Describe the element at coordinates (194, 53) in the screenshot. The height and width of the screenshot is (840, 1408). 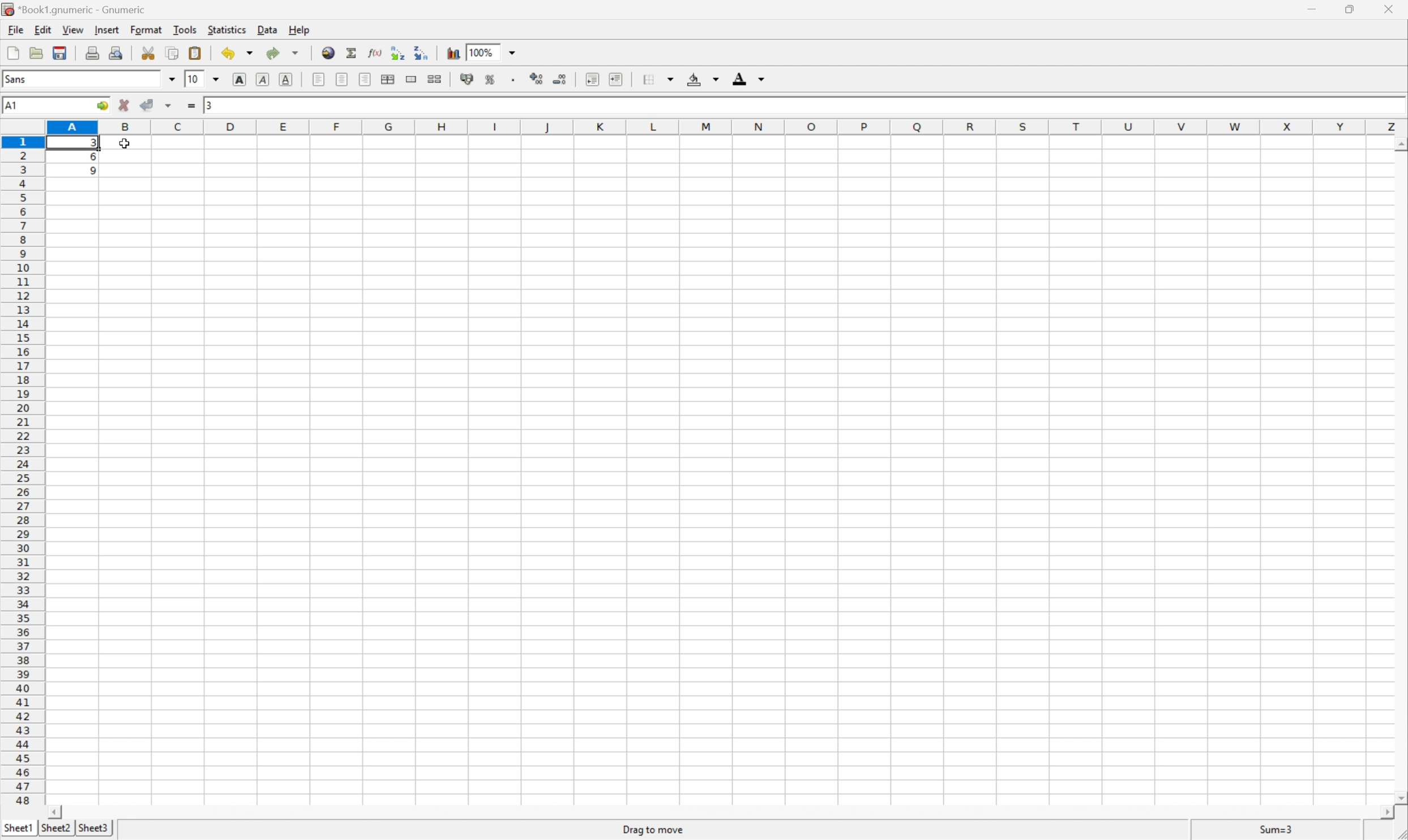
I see `Paste a clipboard` at that location.